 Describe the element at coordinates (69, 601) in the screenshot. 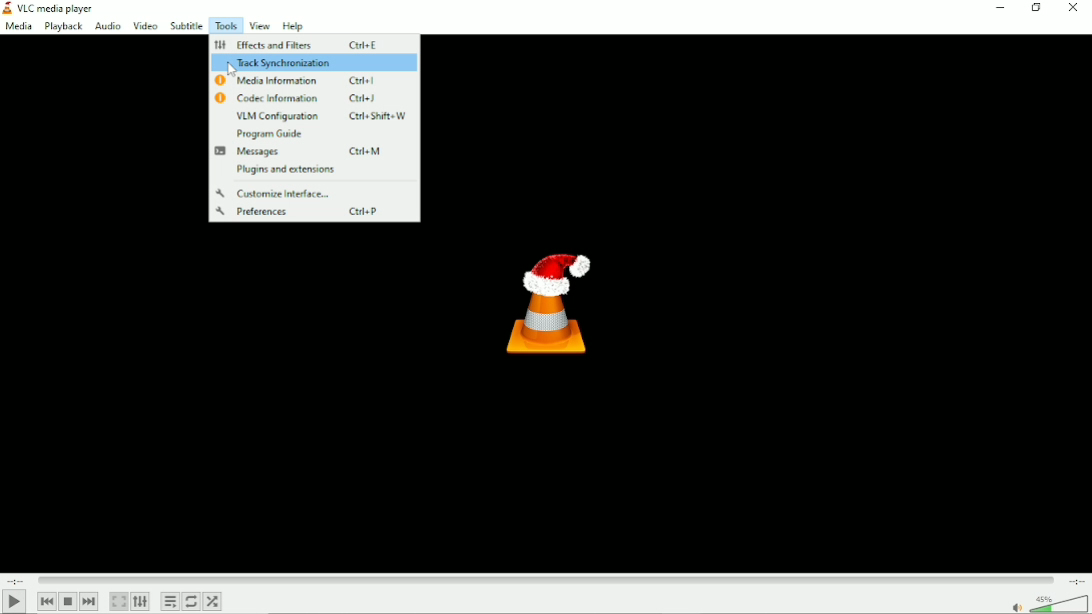

I see `stop playlist` at that location.